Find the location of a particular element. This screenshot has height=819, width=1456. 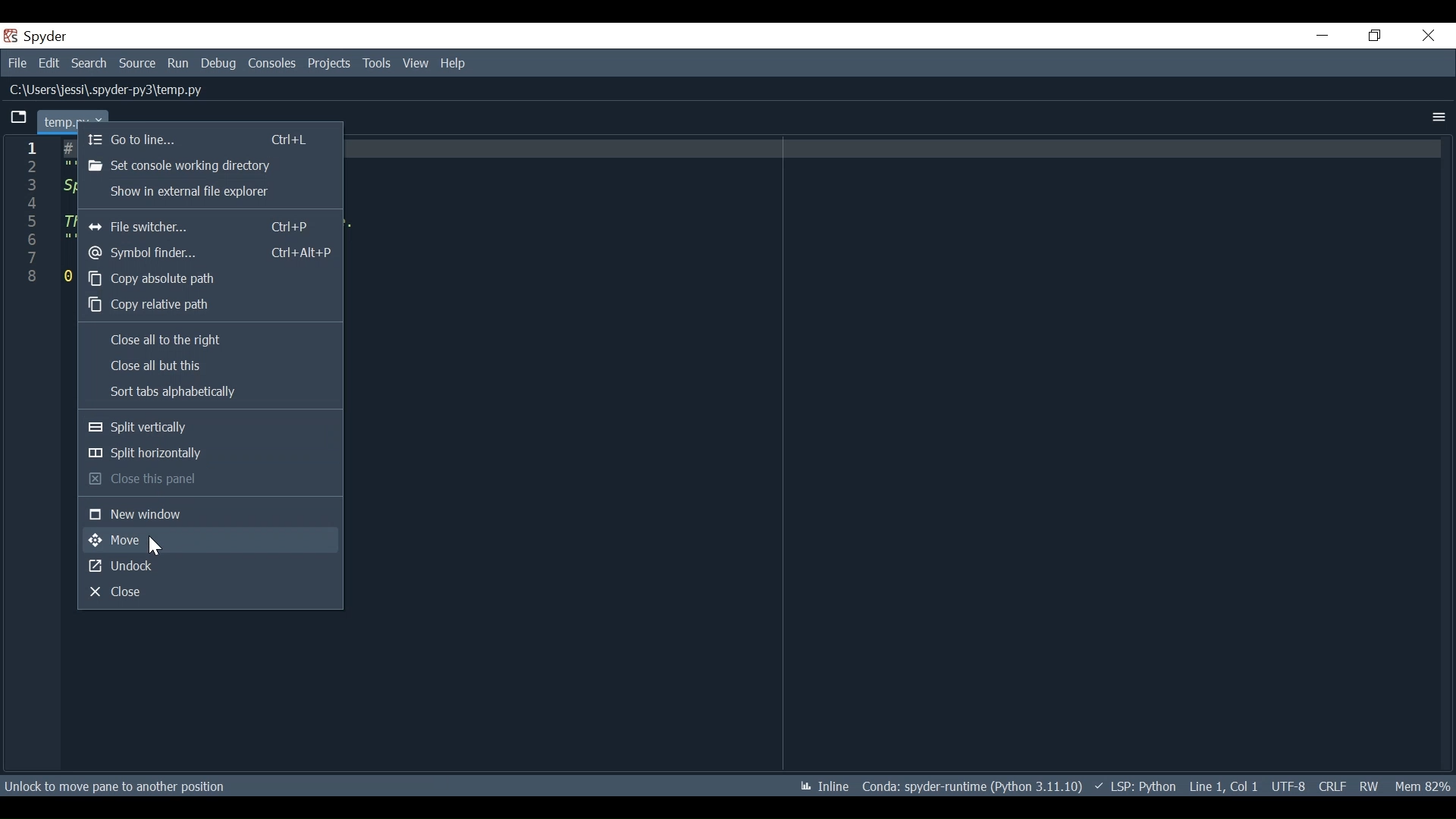

Run is located at coordinates (178, 63).